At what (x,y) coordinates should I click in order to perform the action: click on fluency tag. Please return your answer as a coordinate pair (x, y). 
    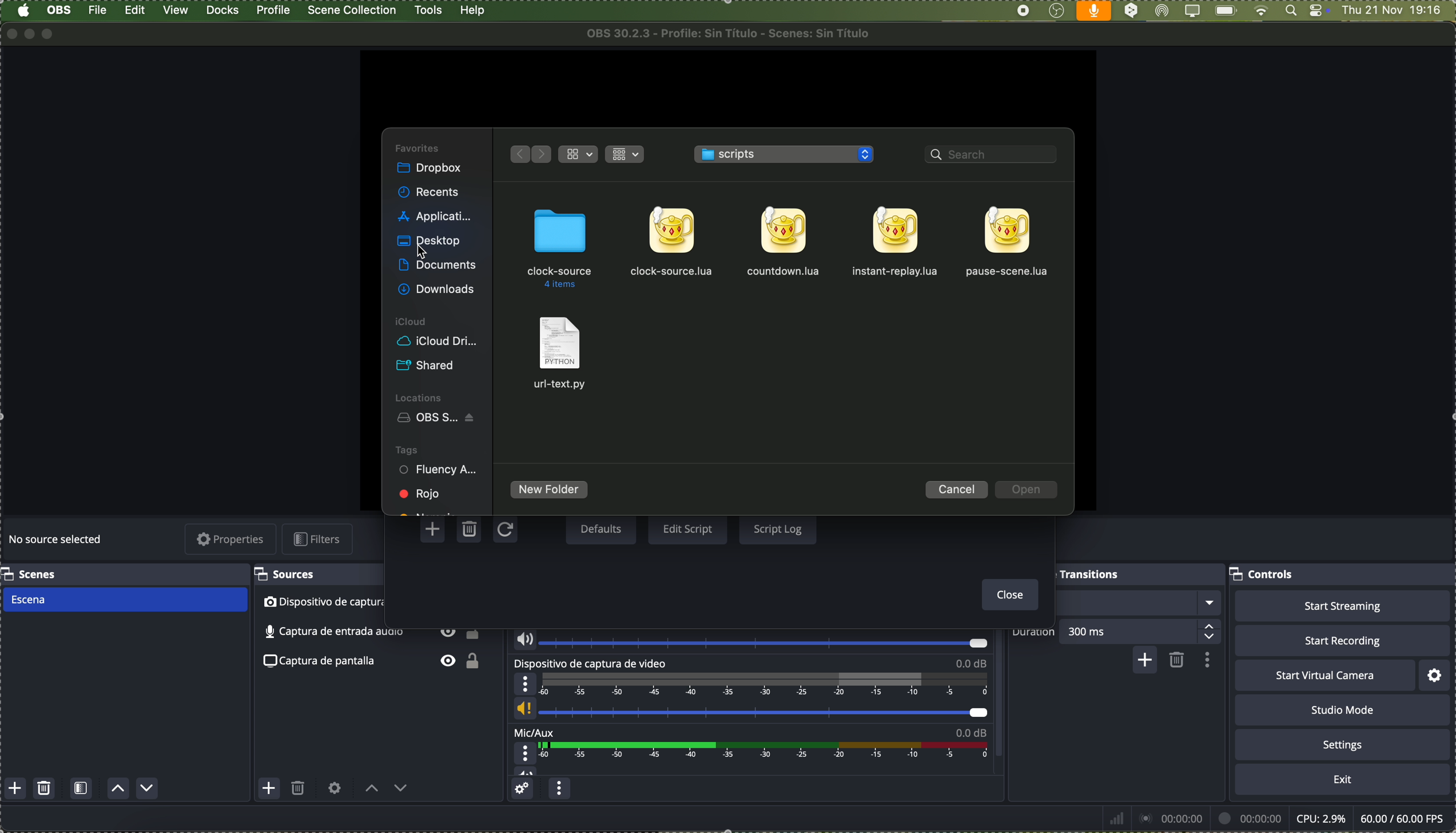
    Looking at the image, I should click on (439, 471).